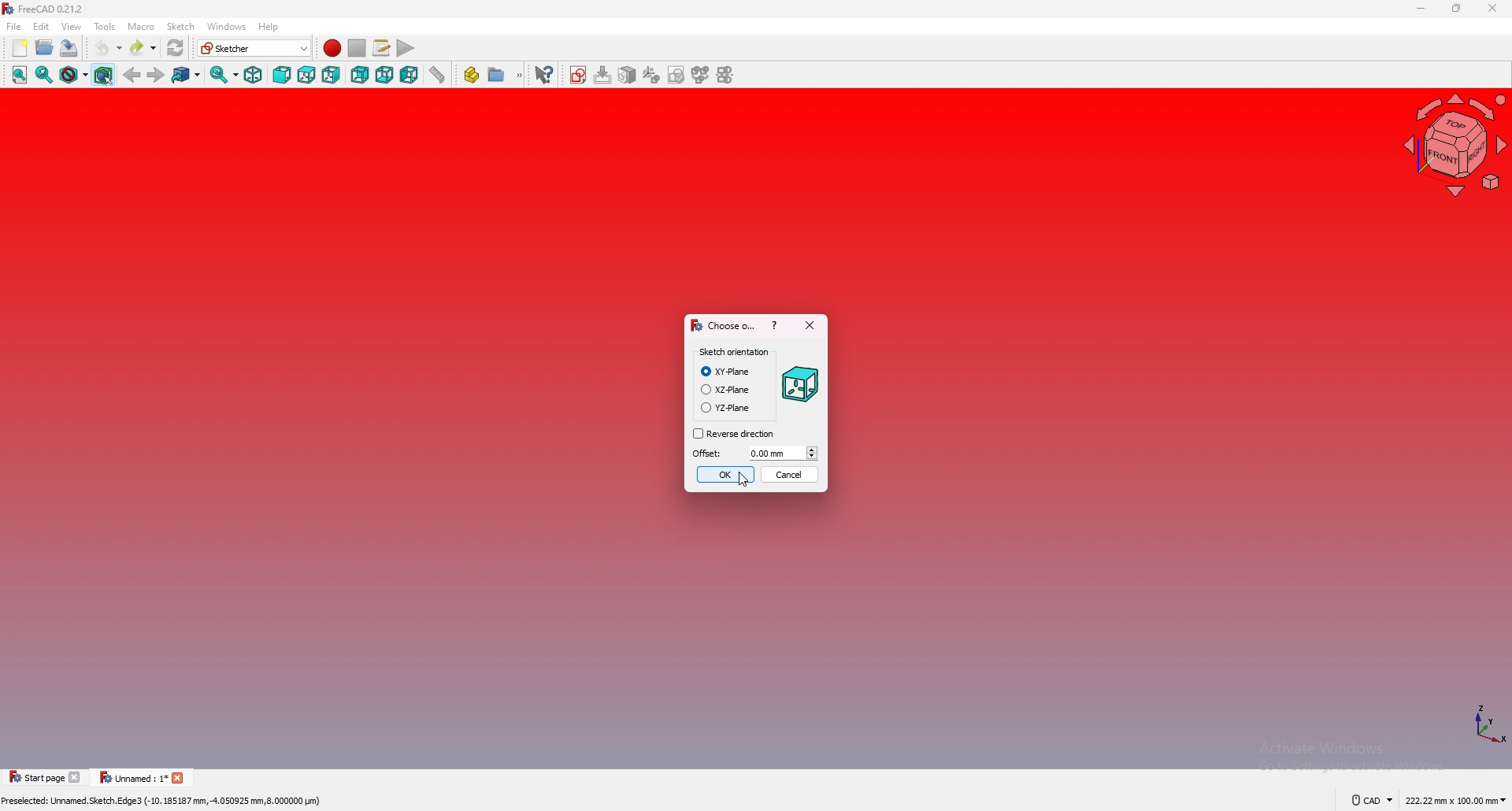 The height and width of the screenshot is (811, 1512). I want to click on create part, so click(472, 76).